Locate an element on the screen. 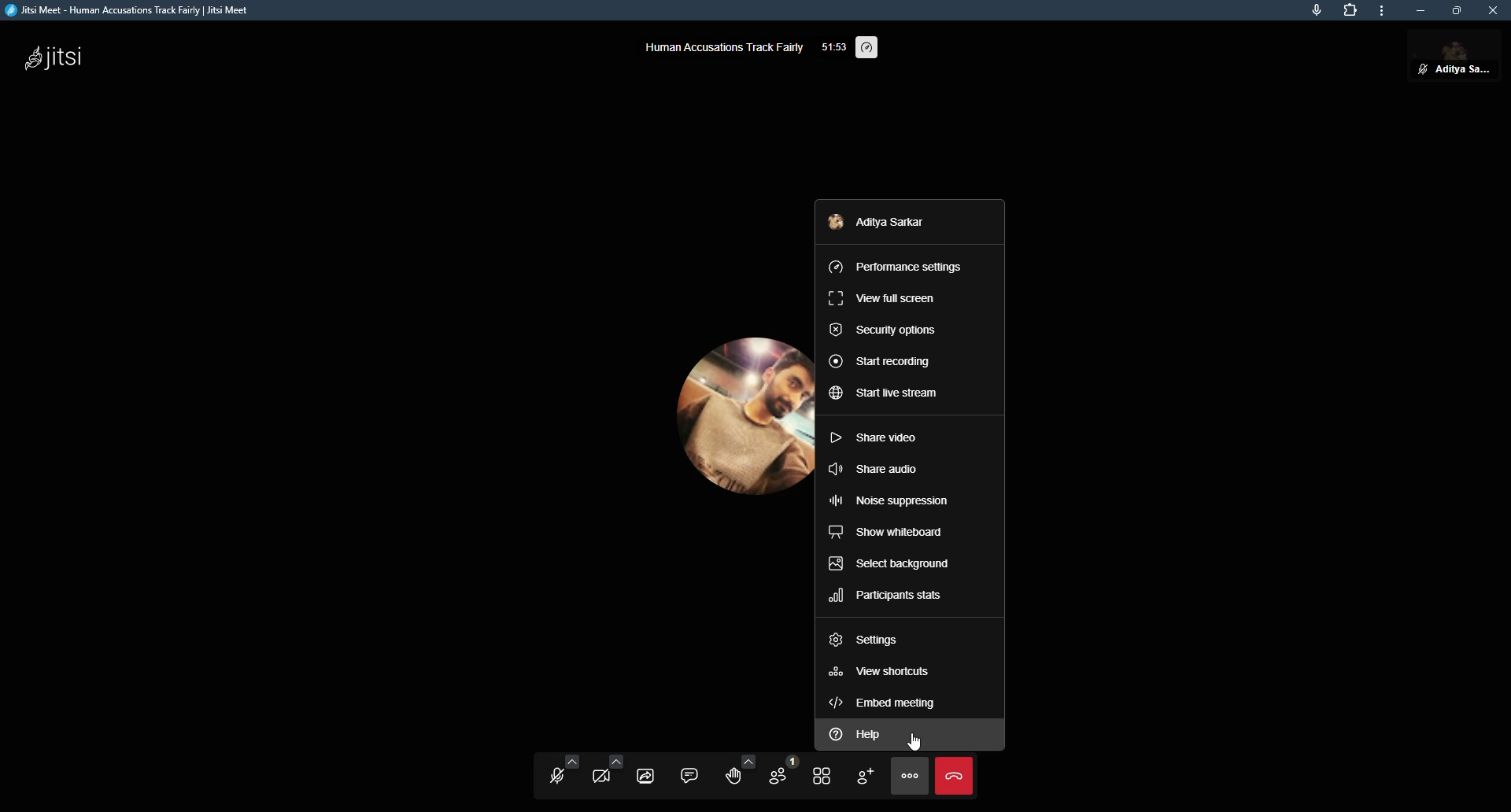 This screenshot has width=1511, height=812. human accusations track fairly is located at coordinates (726, 46).